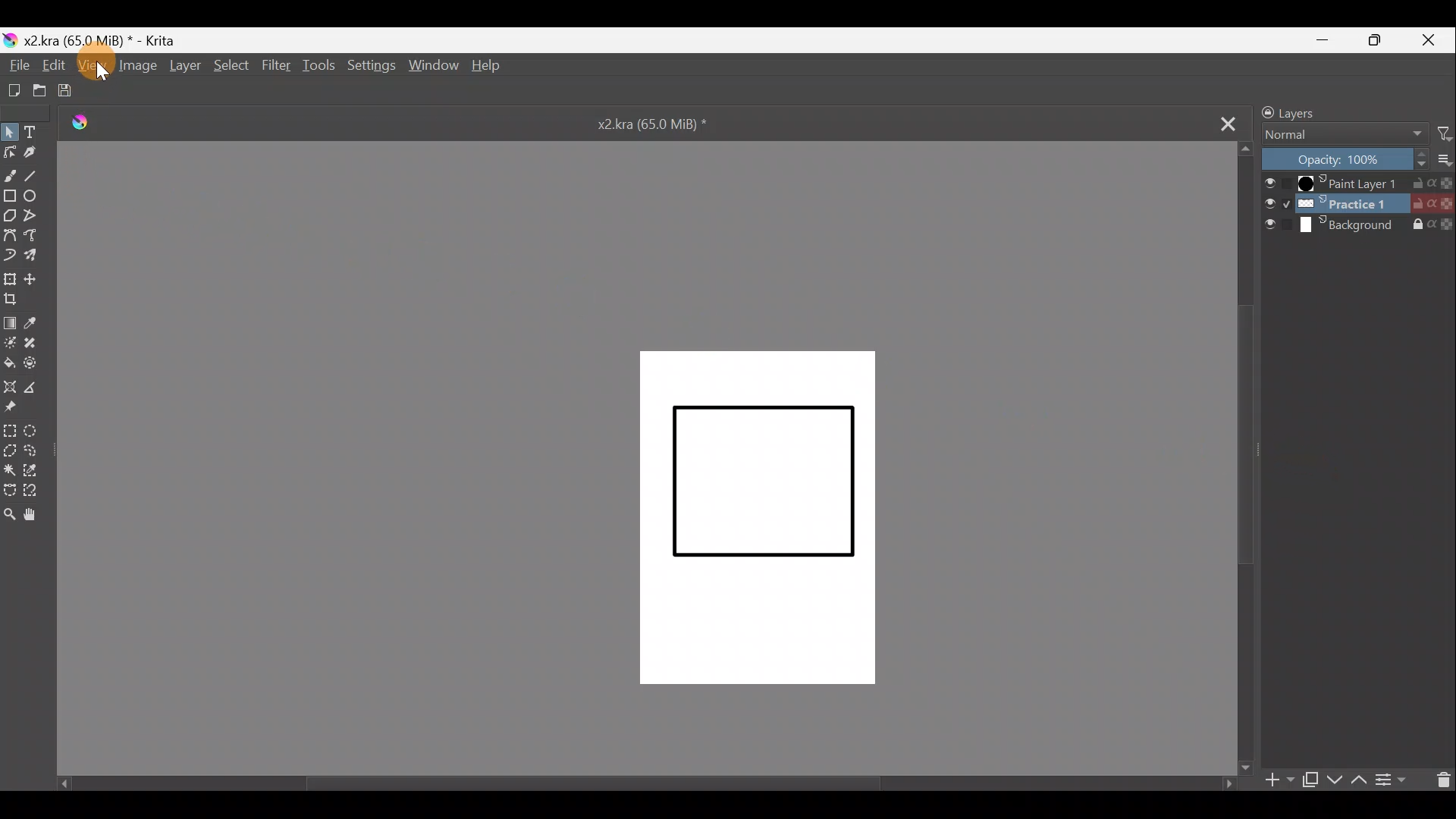 The width and height of the screenshot is (1456, 819). I want to click on More, so click(1447, 160).